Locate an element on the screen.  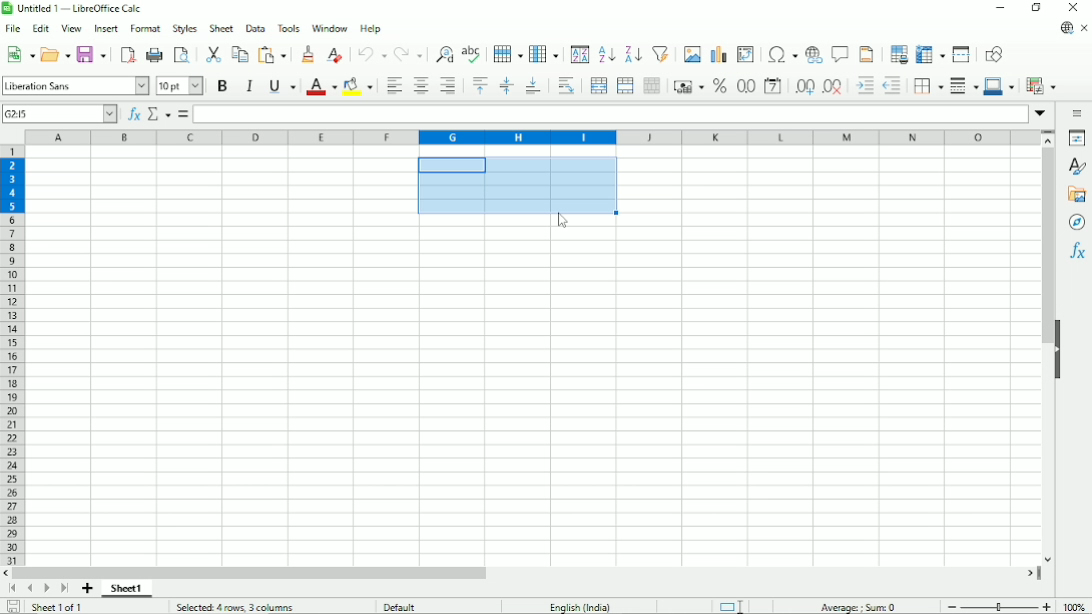
Formula is located at coordinates (183, 114).